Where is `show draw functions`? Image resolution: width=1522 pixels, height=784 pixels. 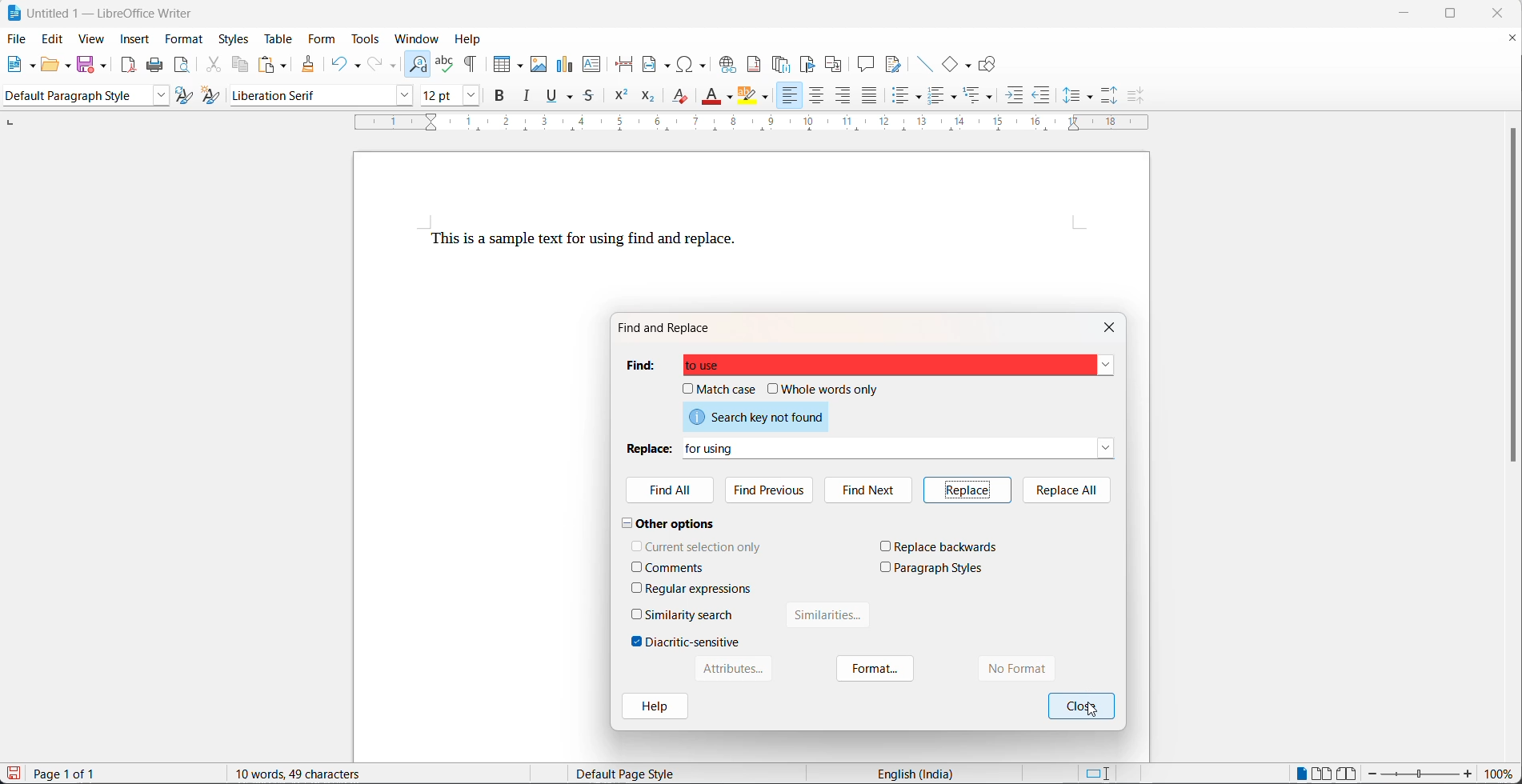 show draw functions is located at coordinates (989, 64).